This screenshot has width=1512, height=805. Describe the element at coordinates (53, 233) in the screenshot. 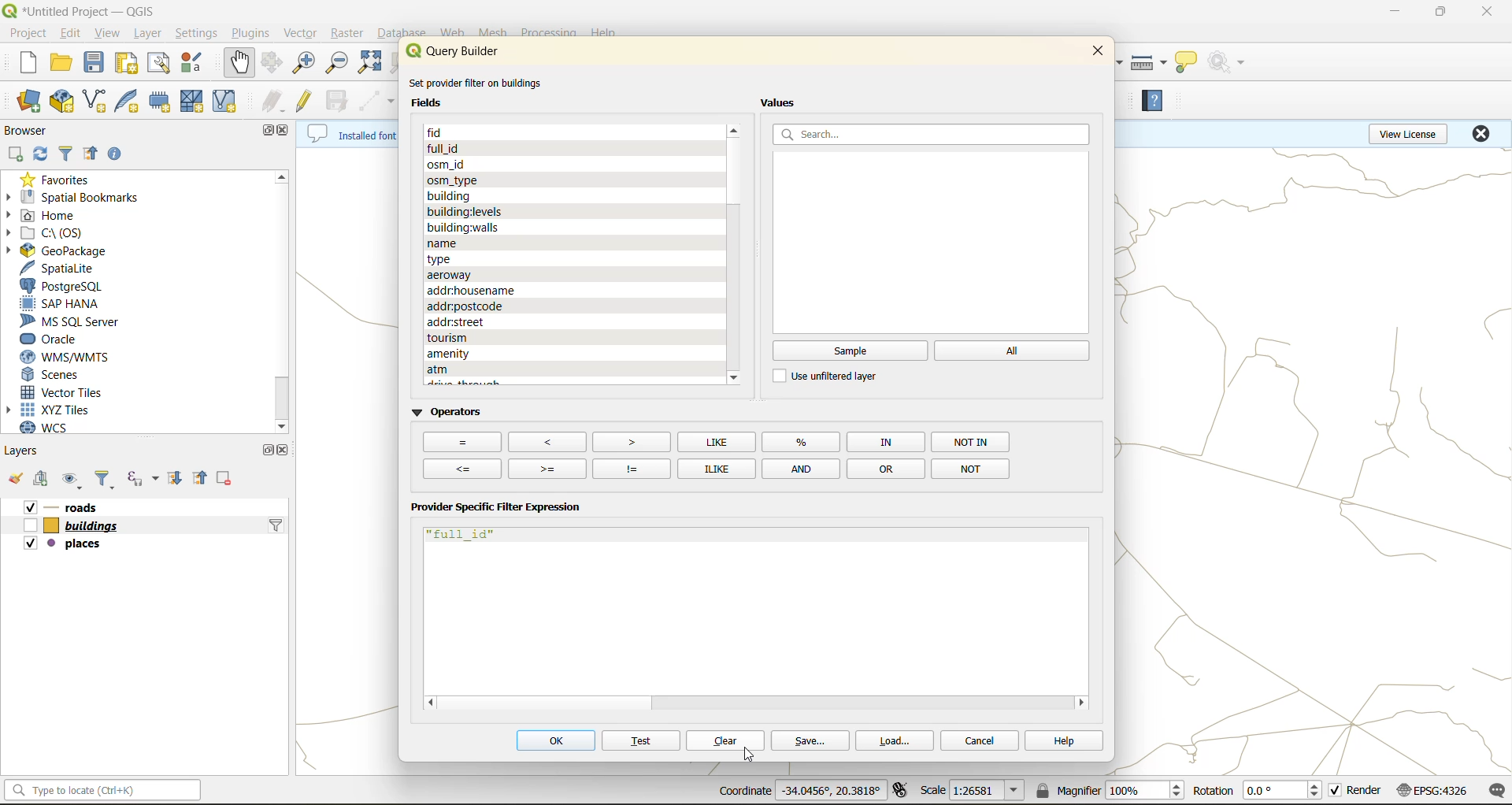

I see `c\:os` at that location.